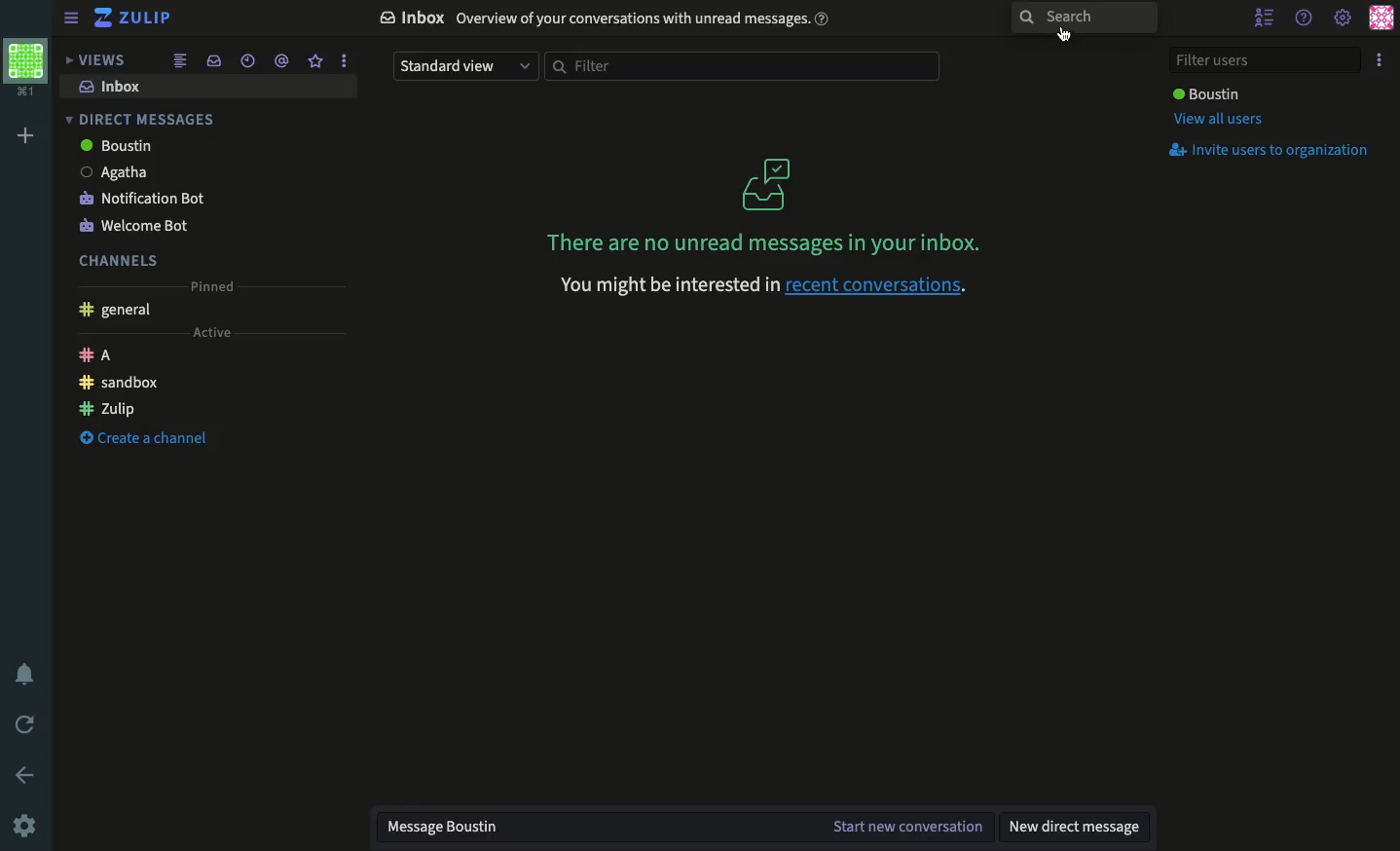 This screenshot has width=1400, height=851. I want to click on Profile, so click(26, 69).